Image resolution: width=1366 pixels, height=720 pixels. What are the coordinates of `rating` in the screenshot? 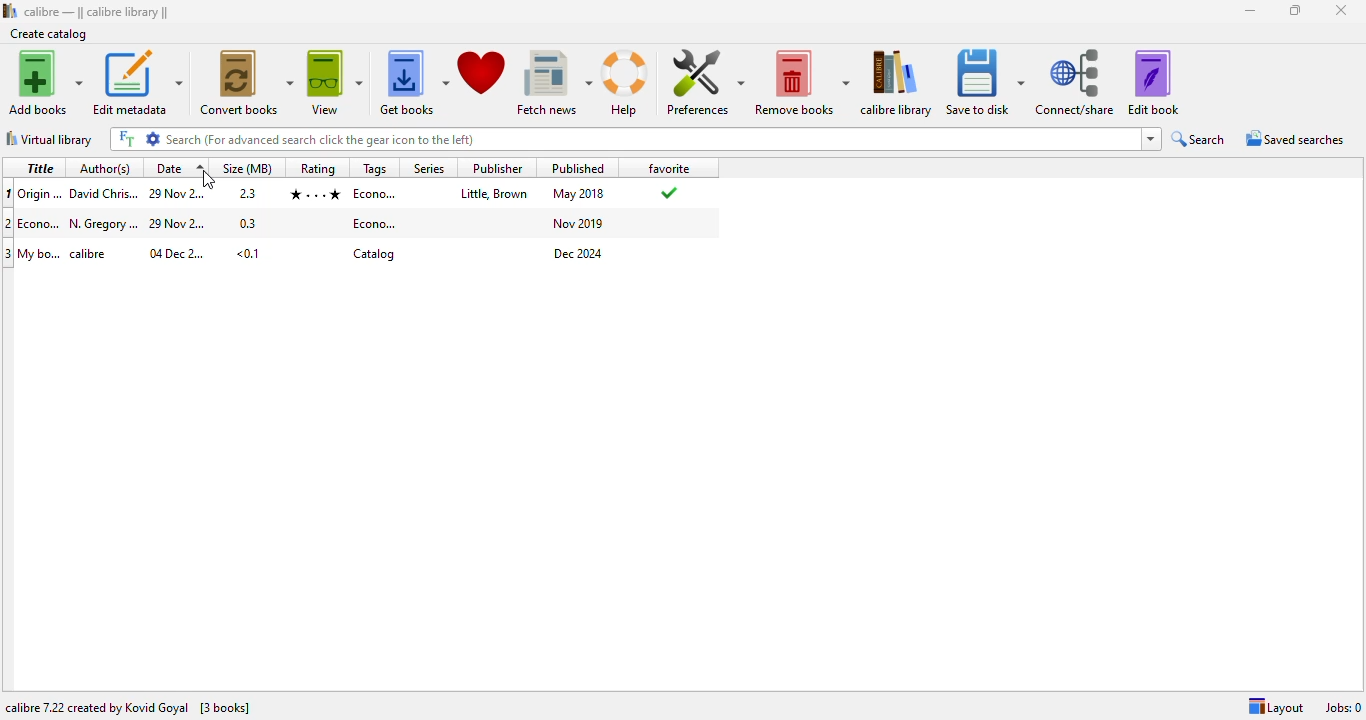 It's located at (317, 196).